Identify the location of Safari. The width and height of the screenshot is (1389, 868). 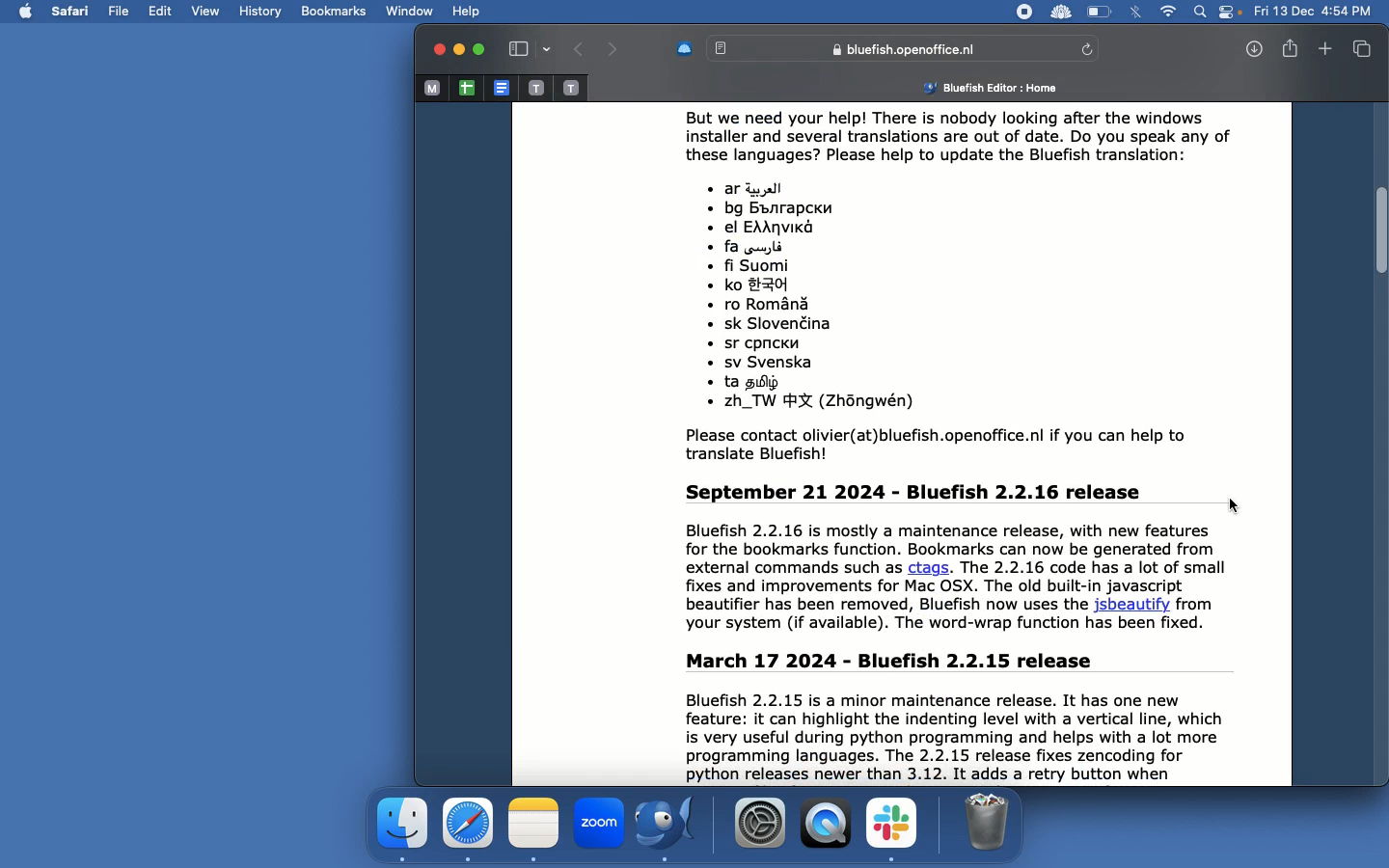
(468, 824).